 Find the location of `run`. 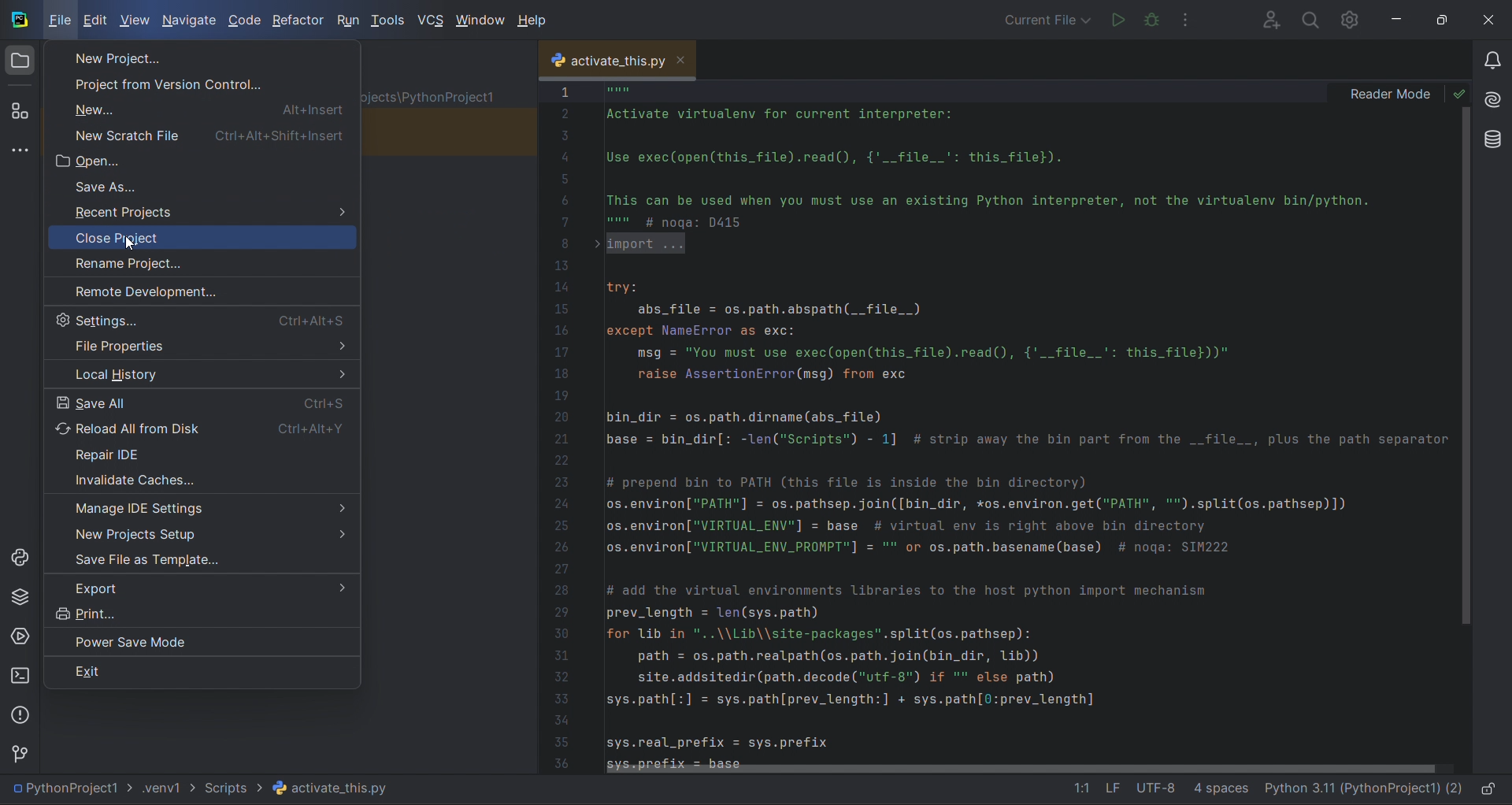

run is located at coordinates (1115, 19).